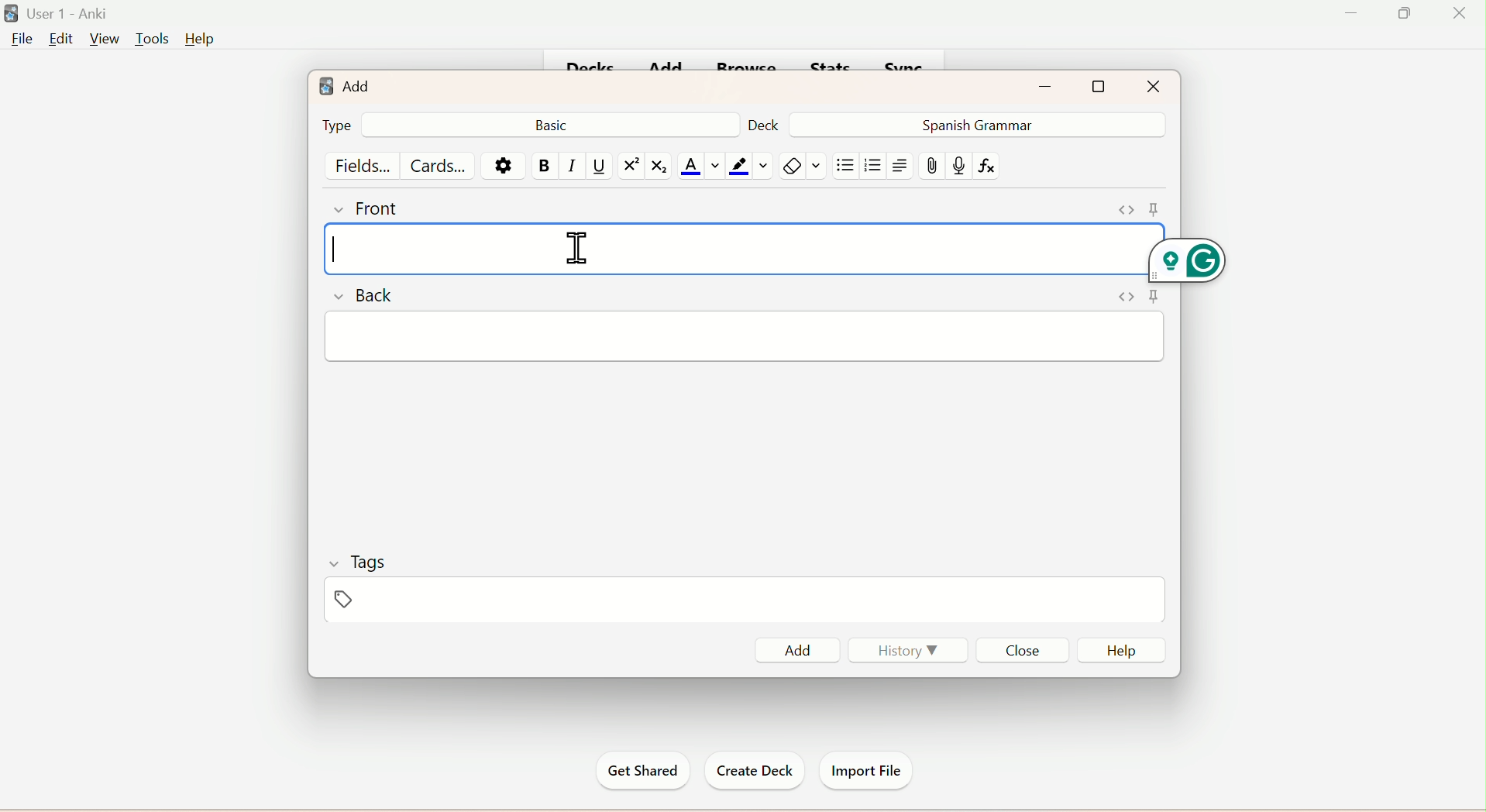  What do you see at coordinates (1120, 650) in the screenshot?
I see `Help` at bounding box center [1120, 650].